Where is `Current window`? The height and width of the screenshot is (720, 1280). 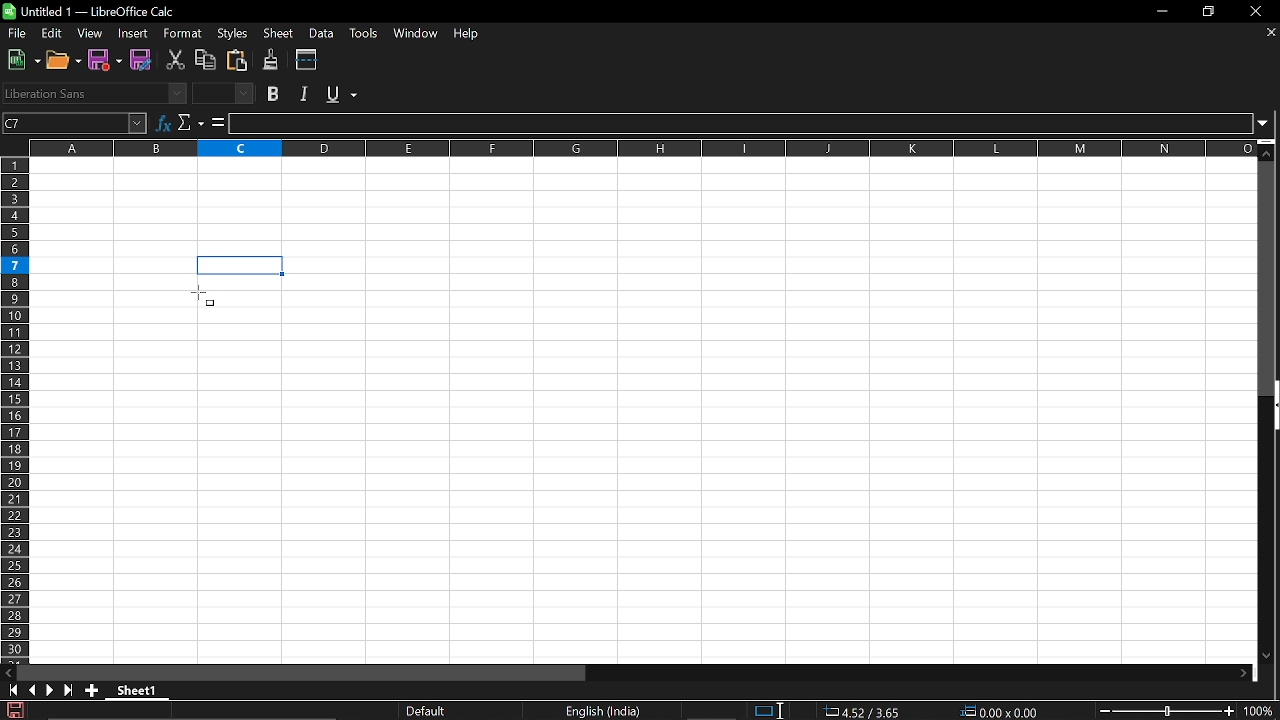
Current window is located at coordinates (93, 11).